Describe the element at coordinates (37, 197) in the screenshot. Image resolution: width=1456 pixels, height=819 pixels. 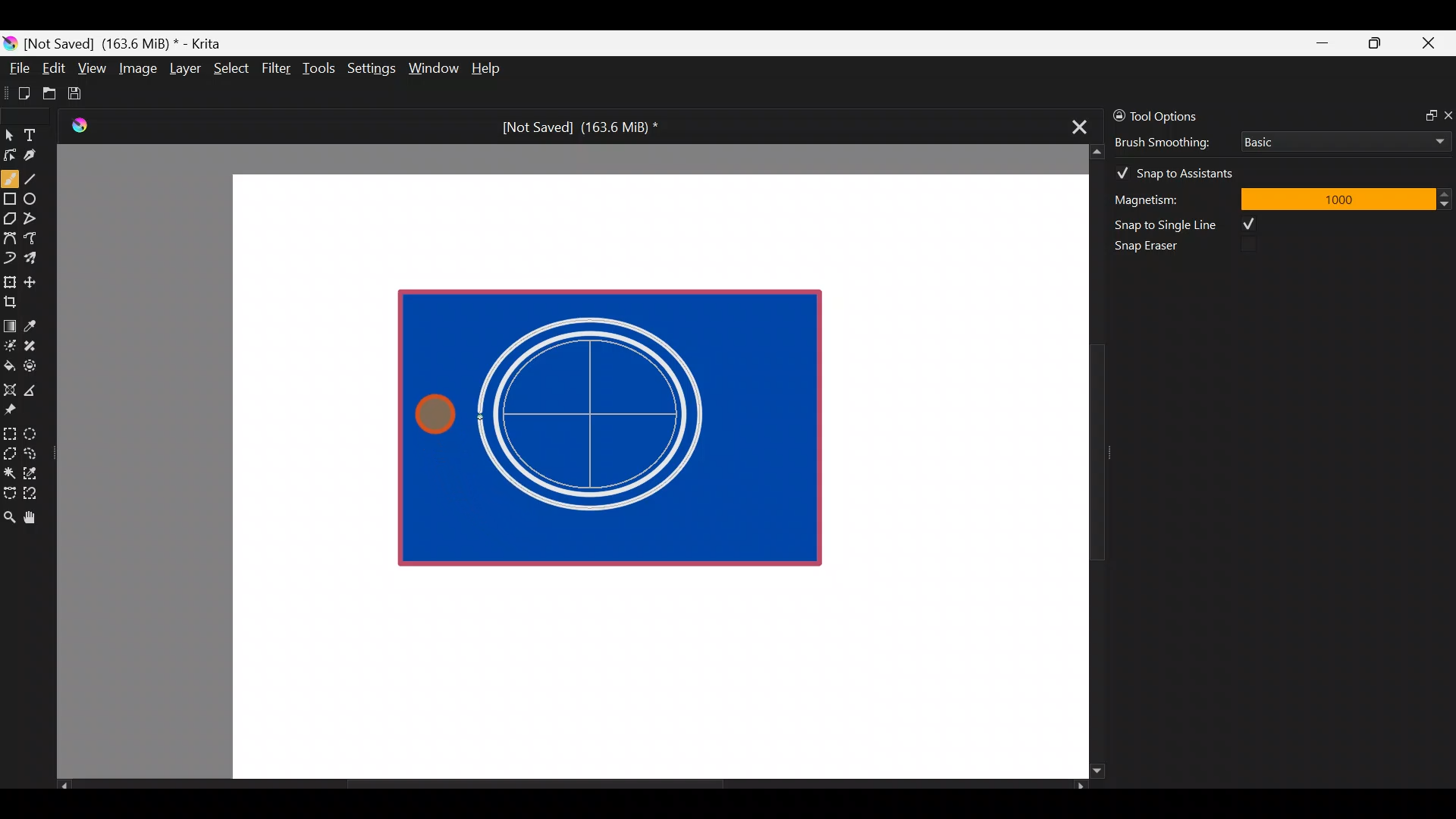
I see `Ellipse tool` at that location.